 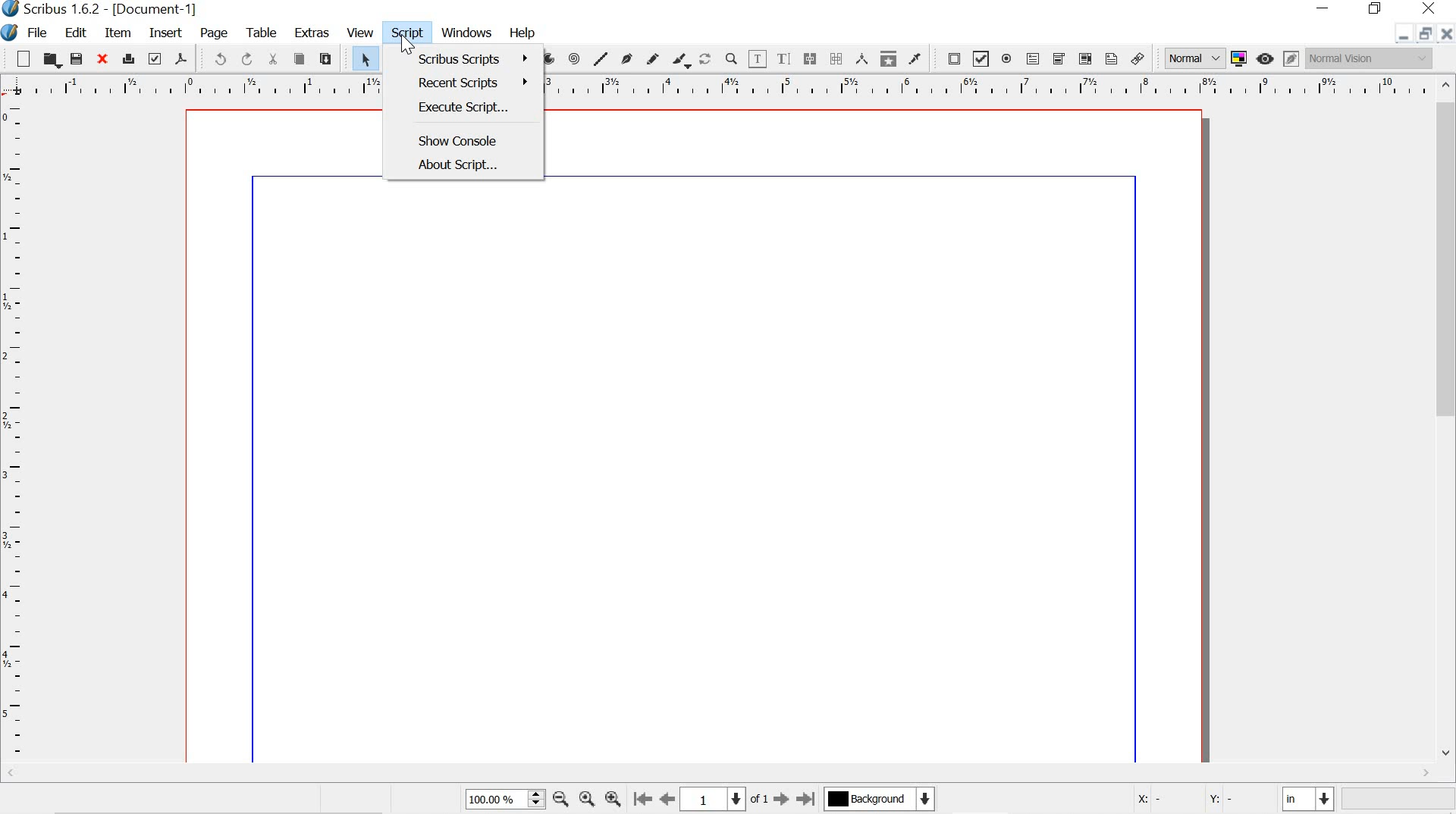 What do you see at coordinates (404, 42) in the screenshot?
I see `cursor` at bounding box center [404, 42].